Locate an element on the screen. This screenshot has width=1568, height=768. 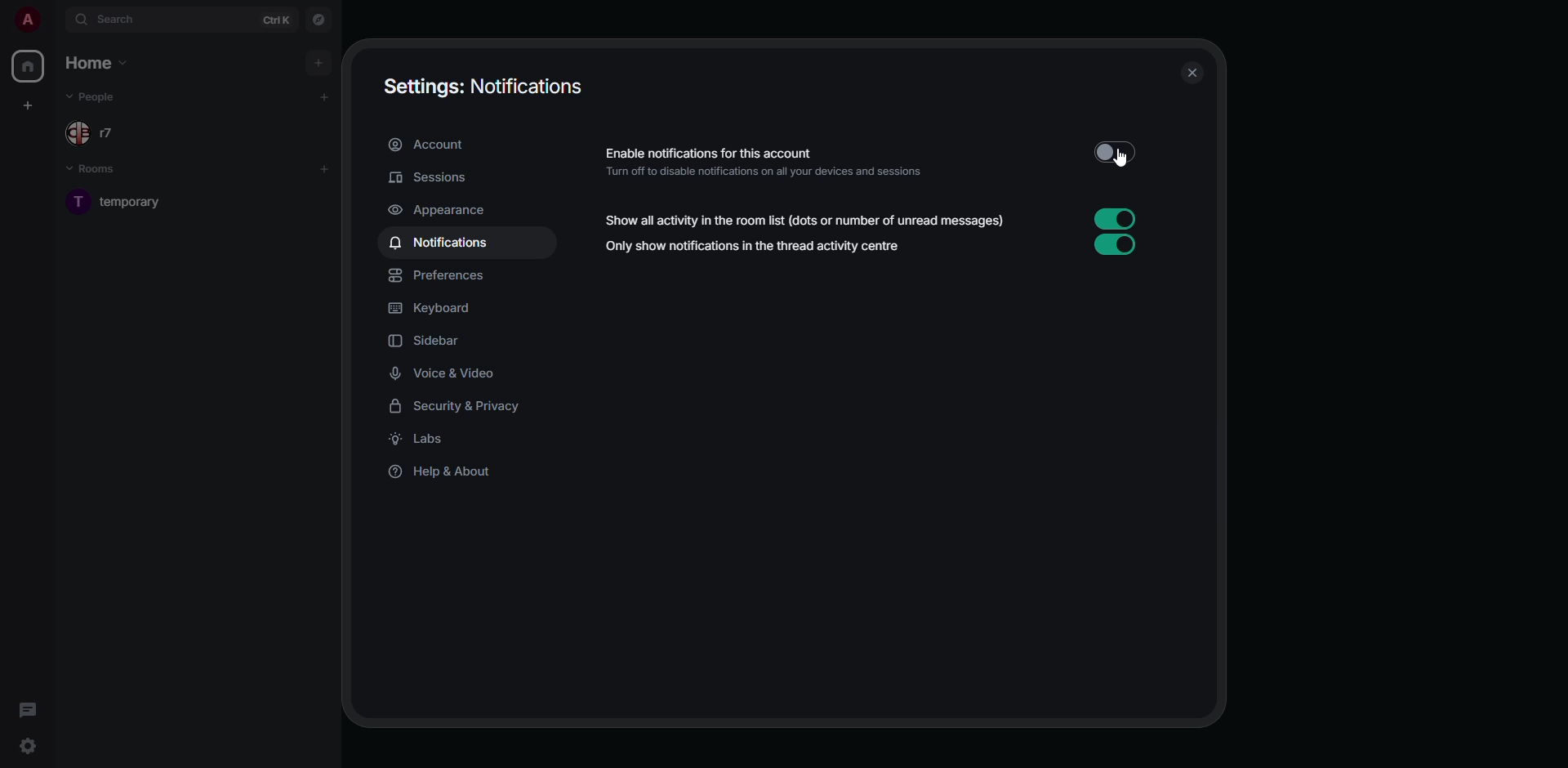
people is located at coordinates (104, 135).